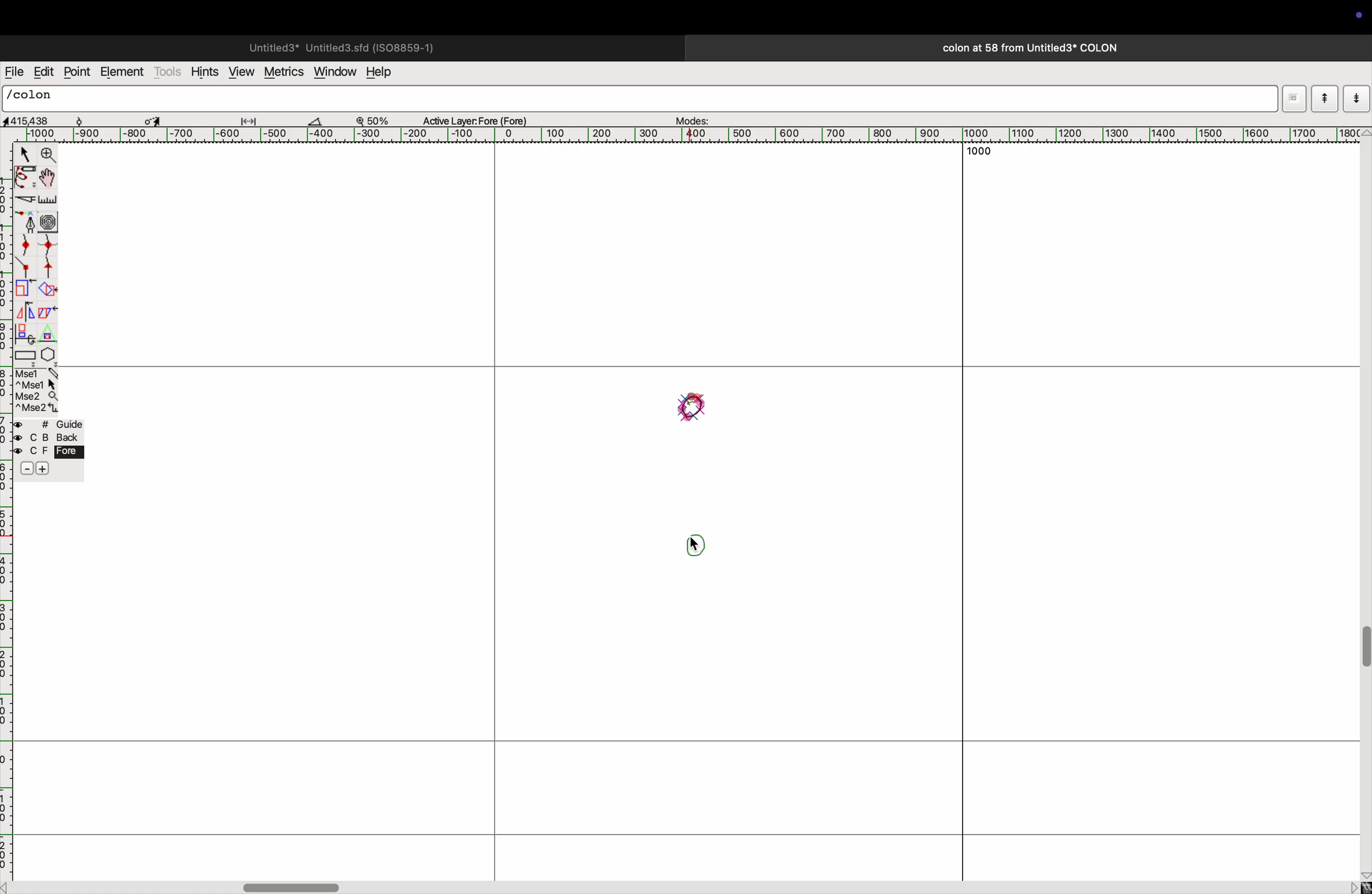 This screenshot has width=1372, height=894. What do you see at coordinates (205, 70) in the screenshot?
I see `hints` at bounding box center [205, 70].